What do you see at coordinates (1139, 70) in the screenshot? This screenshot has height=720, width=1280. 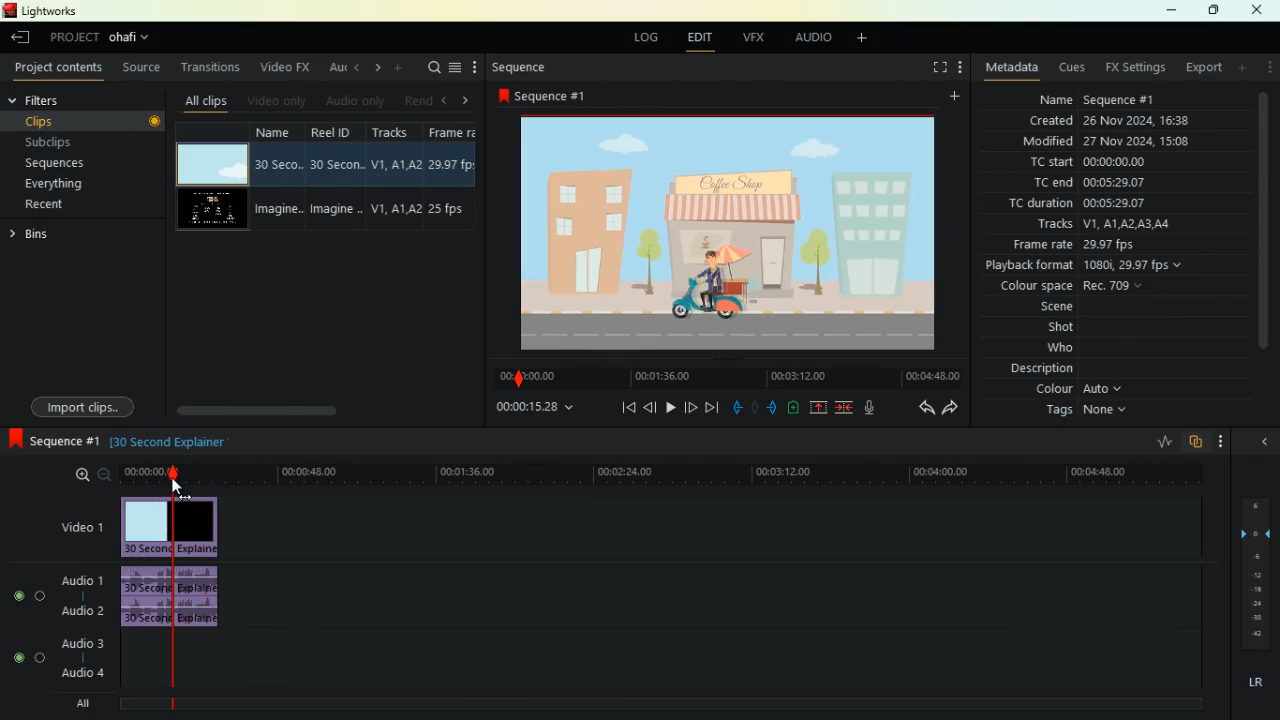 I see `fx setting` at bounding box center [1139, 70].